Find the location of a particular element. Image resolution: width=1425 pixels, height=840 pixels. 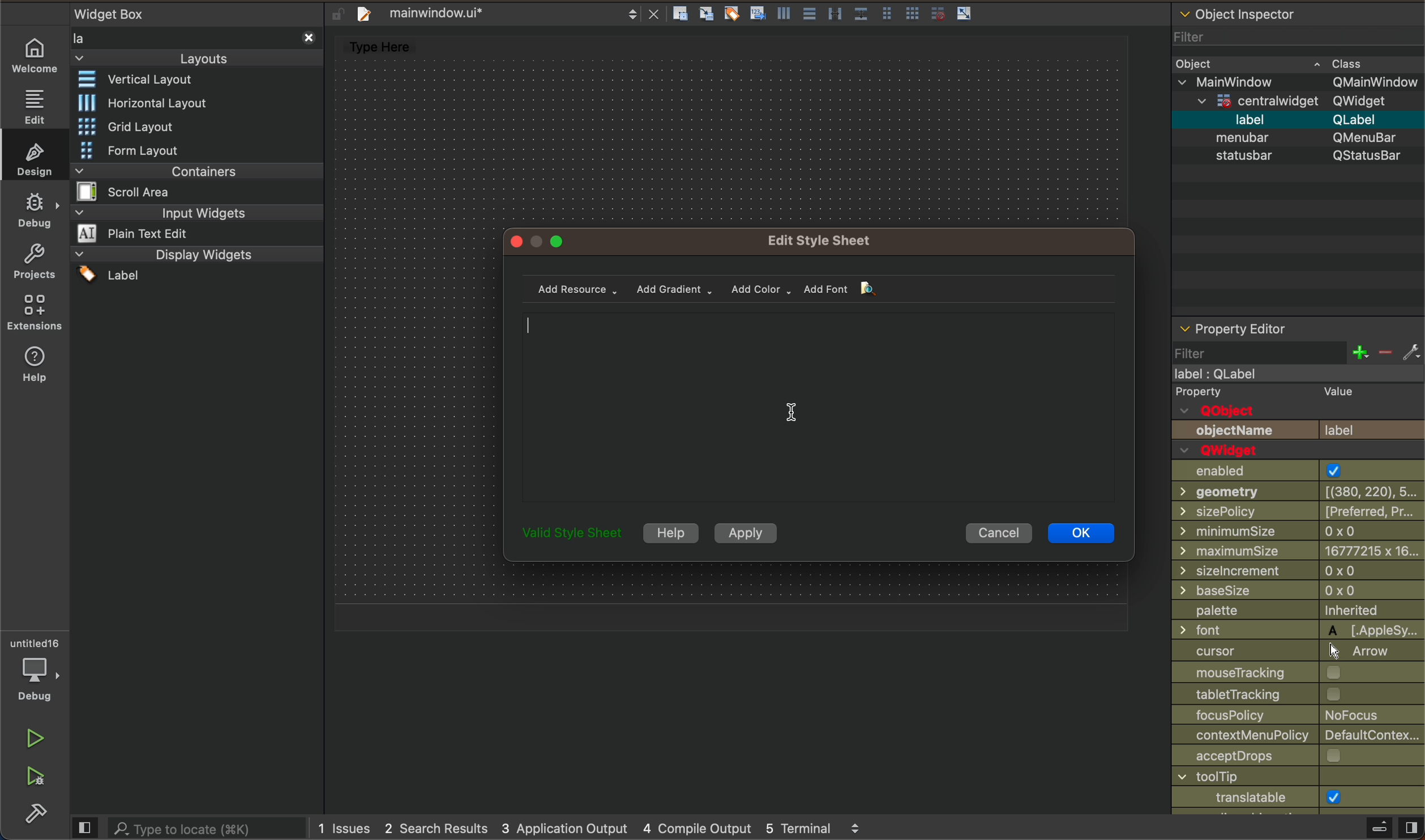

statsubar is located at coordinates (1296, 156).